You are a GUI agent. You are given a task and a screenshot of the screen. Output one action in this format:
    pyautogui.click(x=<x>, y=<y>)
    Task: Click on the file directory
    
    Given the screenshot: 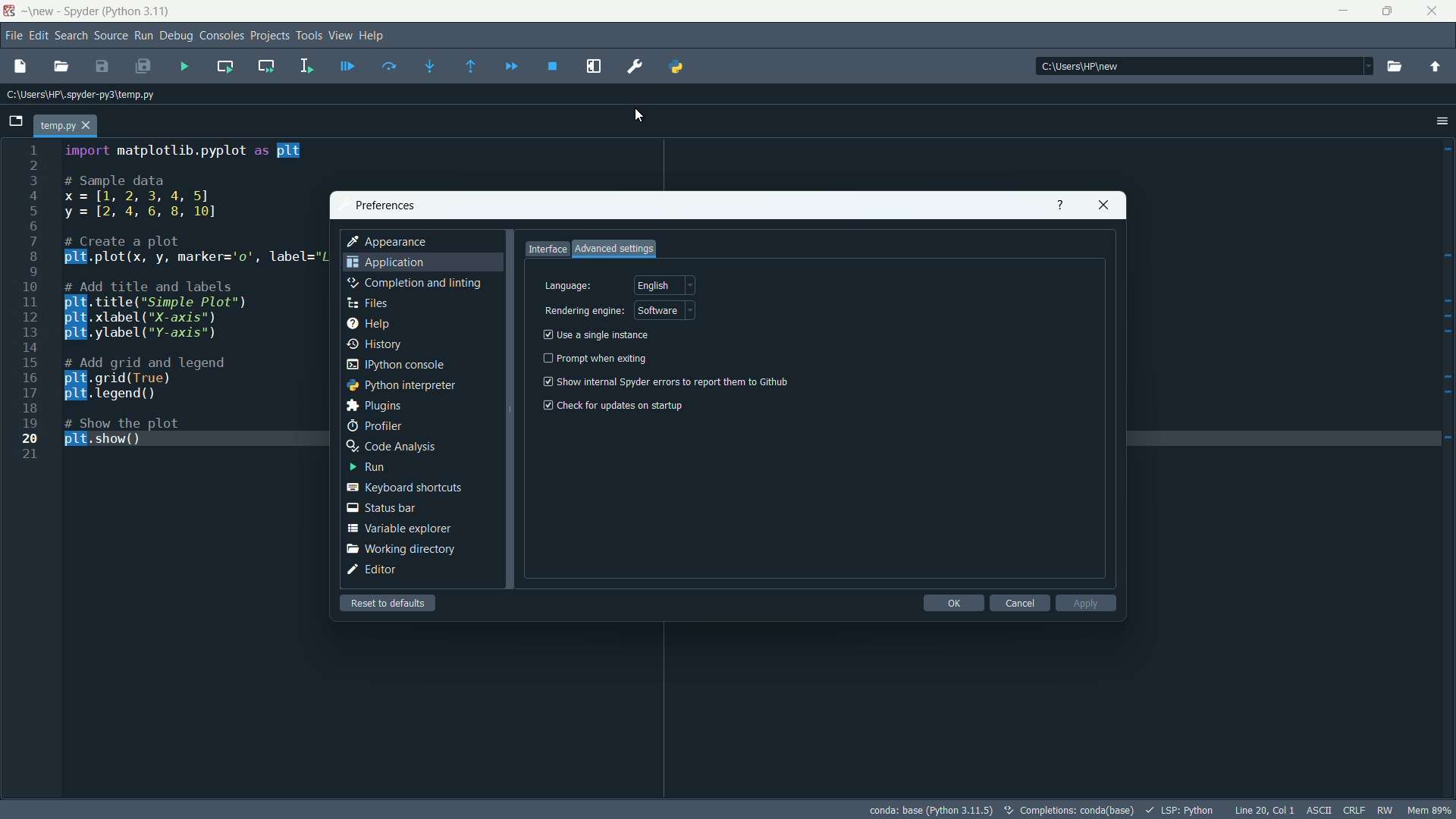 What is the action you would take?
    pyautogui.click(x=79, y=95)
    